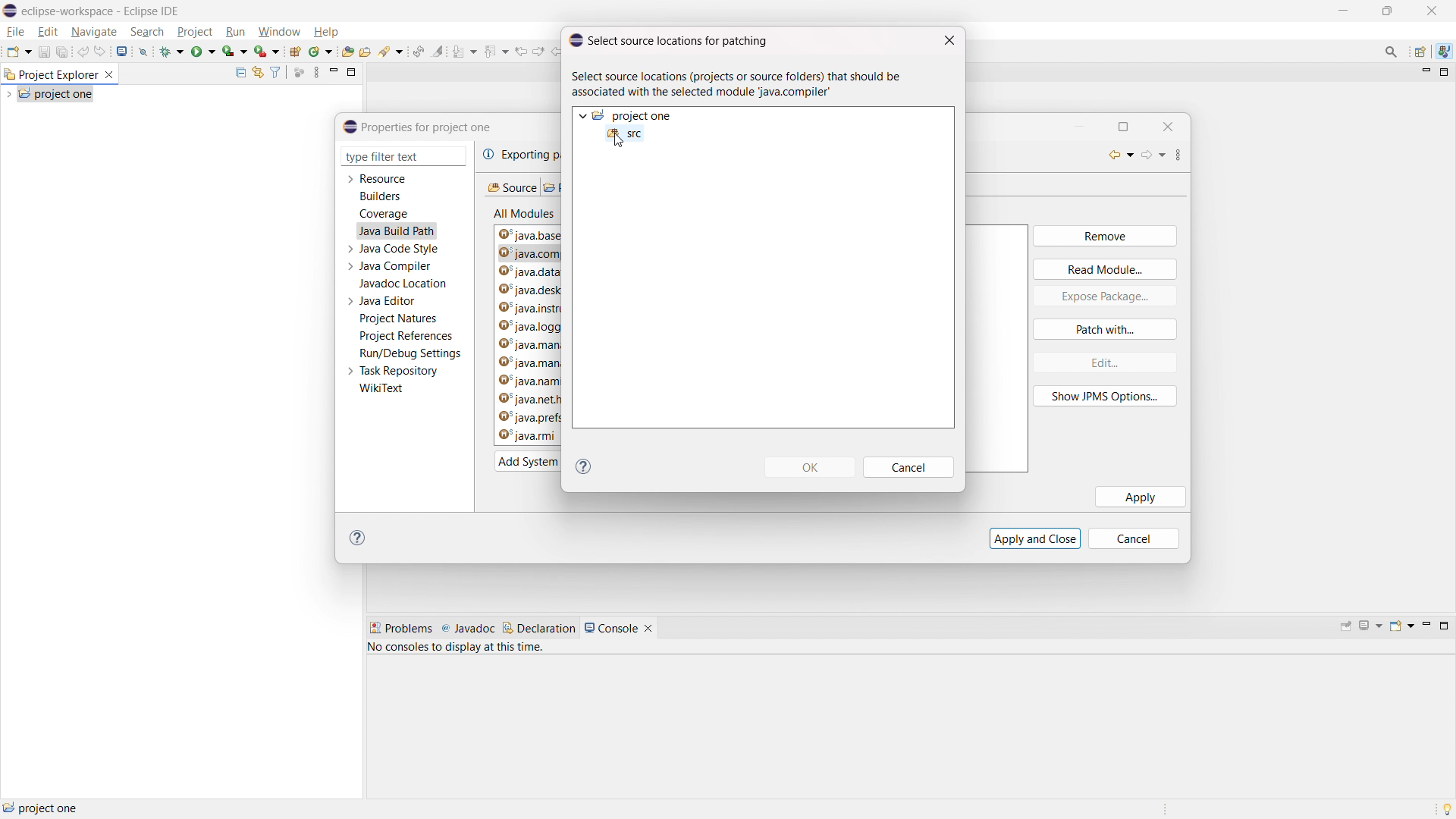  Describe the element at coordinates (611, 628) in the screenshot. I see `console` at that location.